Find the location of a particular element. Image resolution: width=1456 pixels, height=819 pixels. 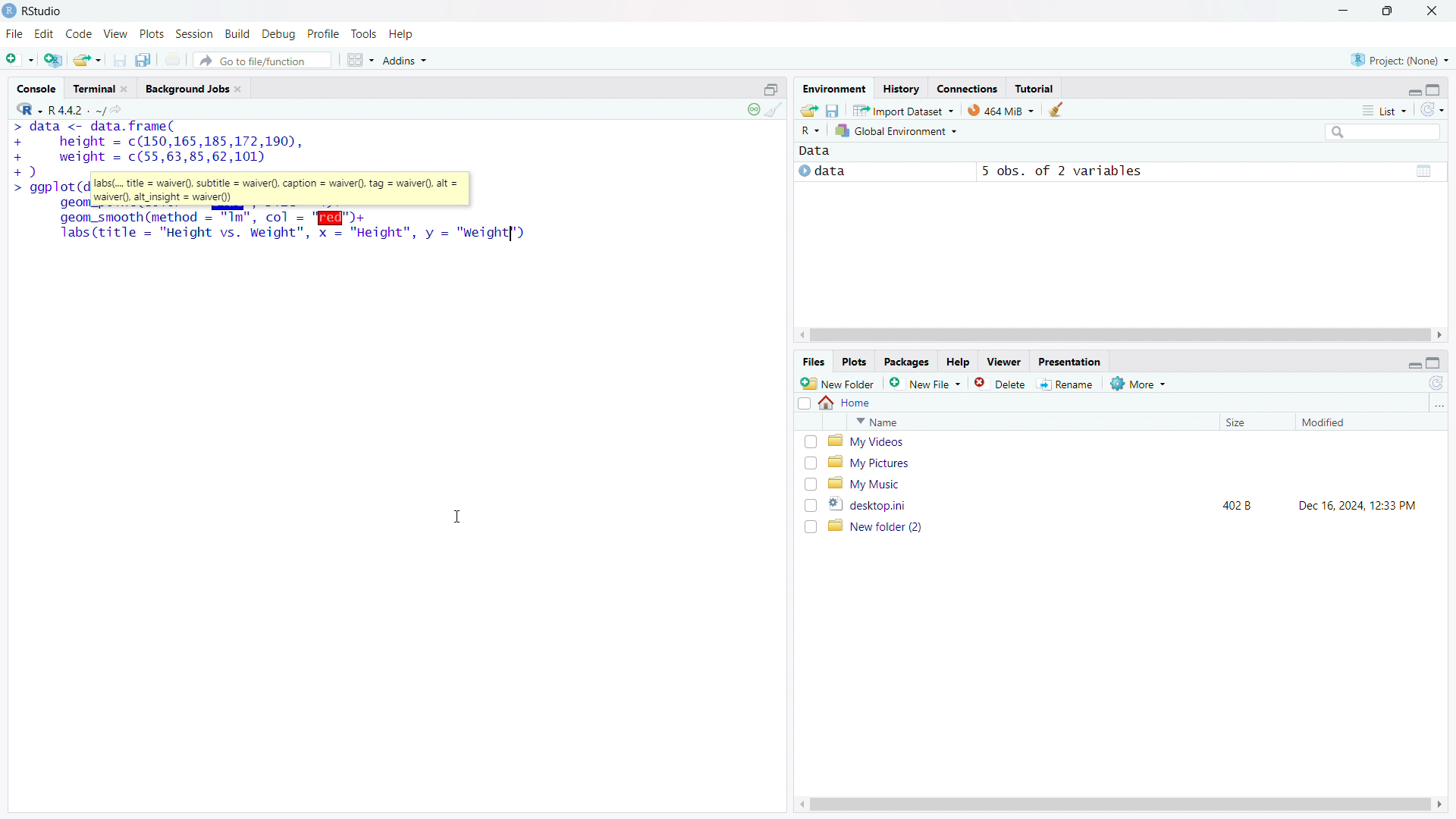

close is located at coordinates (237, 89).